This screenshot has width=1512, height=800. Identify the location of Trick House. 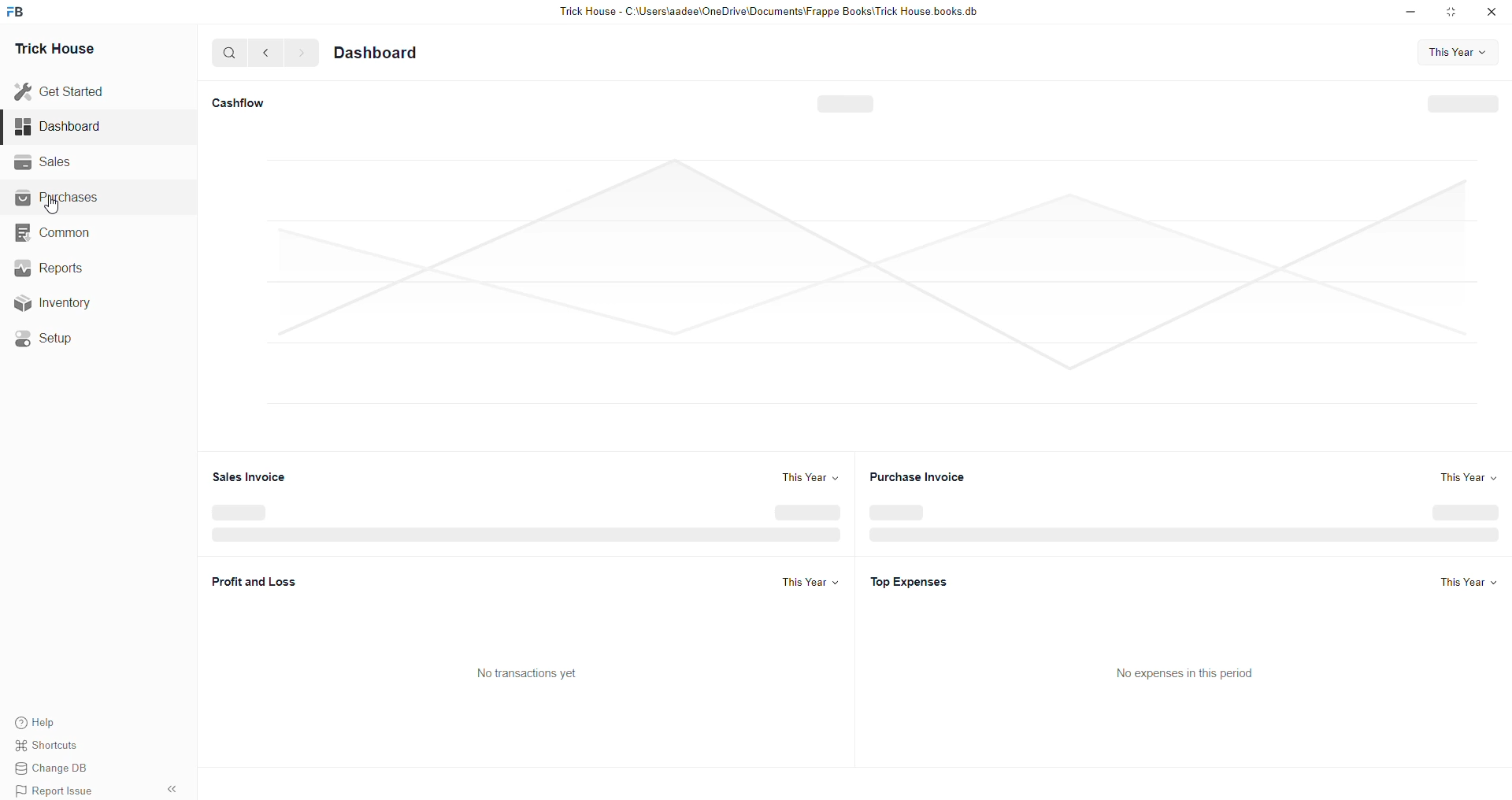
(50, 47).